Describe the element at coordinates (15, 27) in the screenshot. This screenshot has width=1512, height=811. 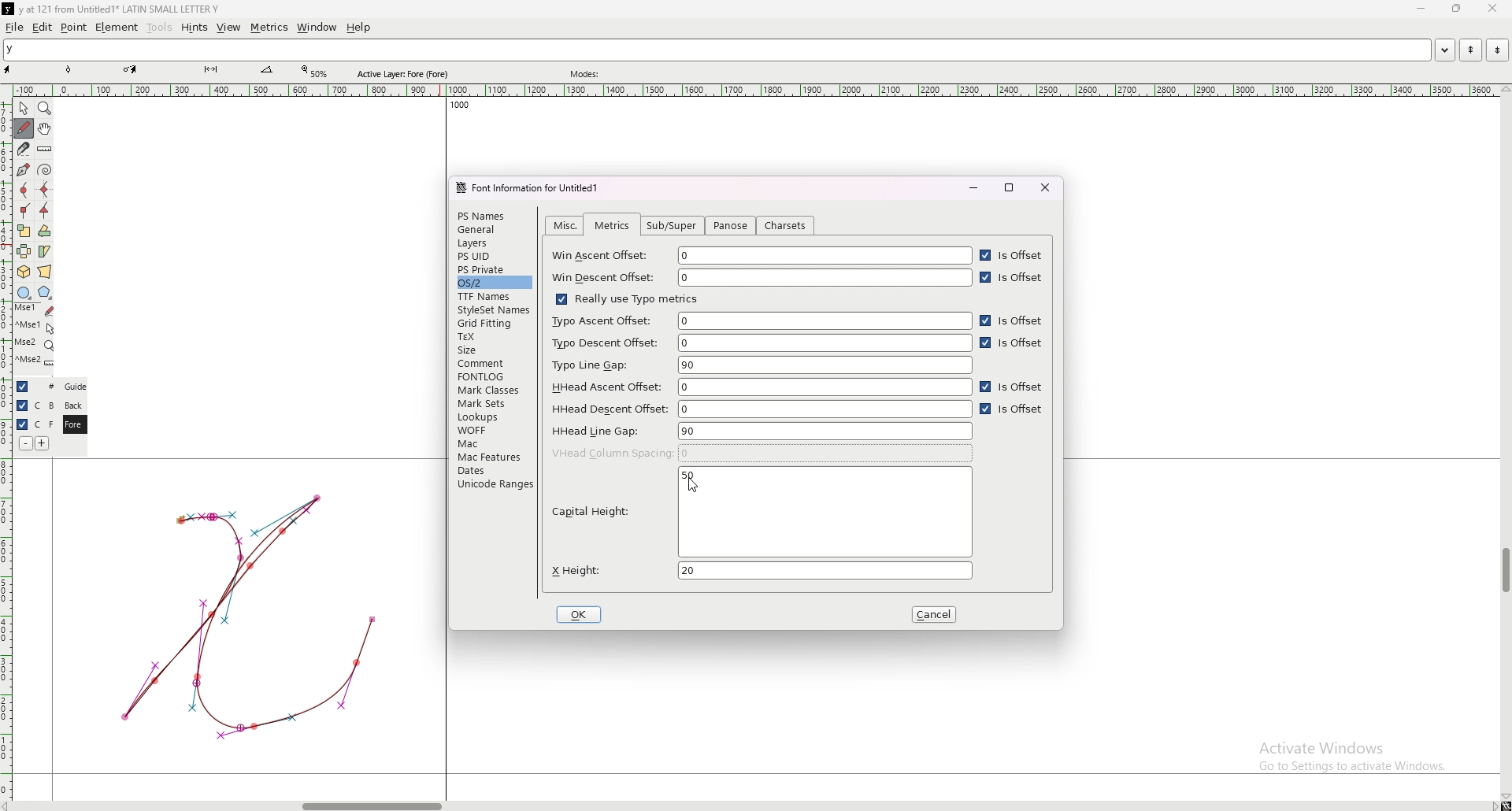
I see `file` at that location.